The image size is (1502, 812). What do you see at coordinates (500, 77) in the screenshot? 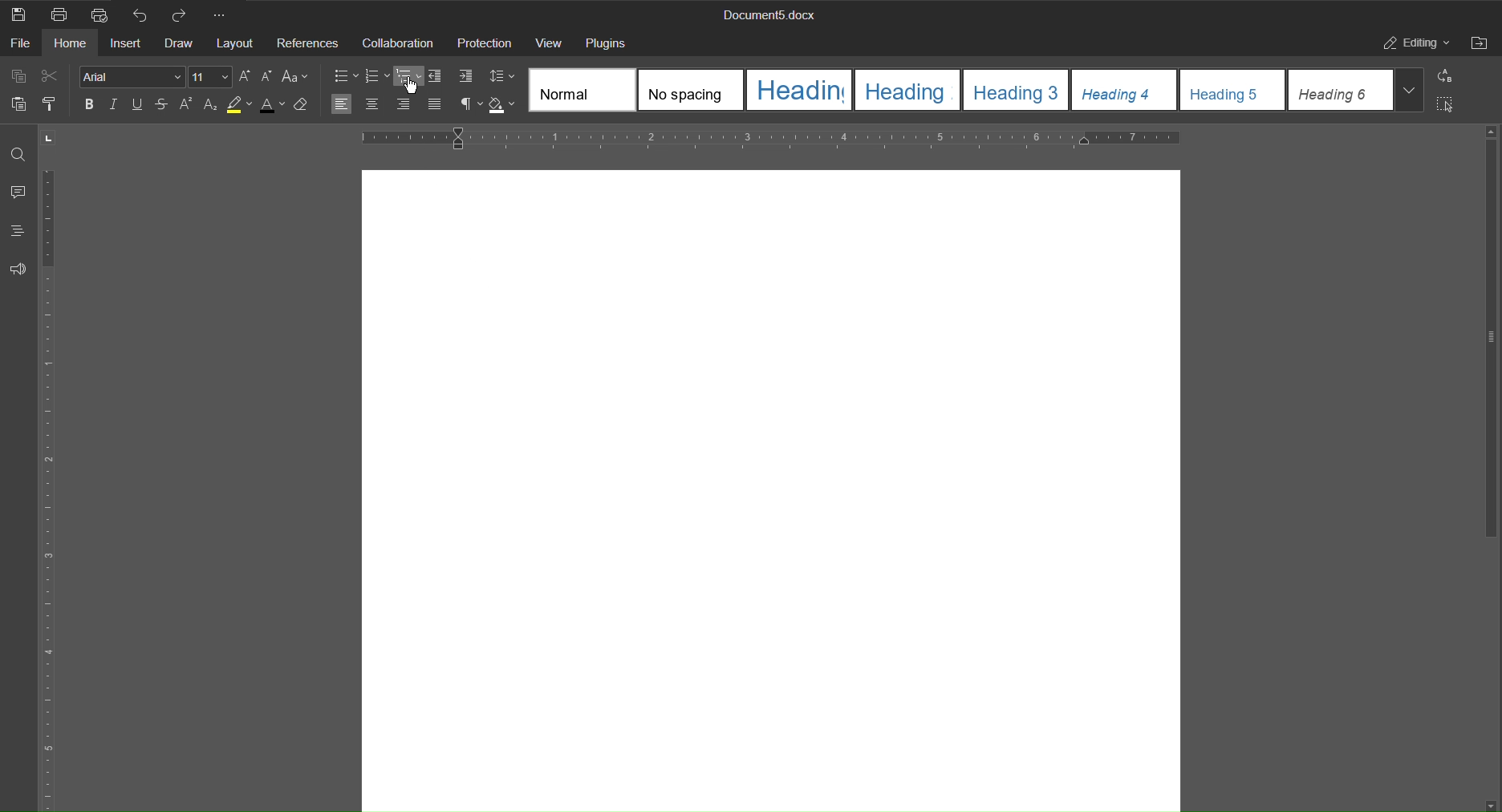
I see `Line Spacing` at bounding box center [500, 77].